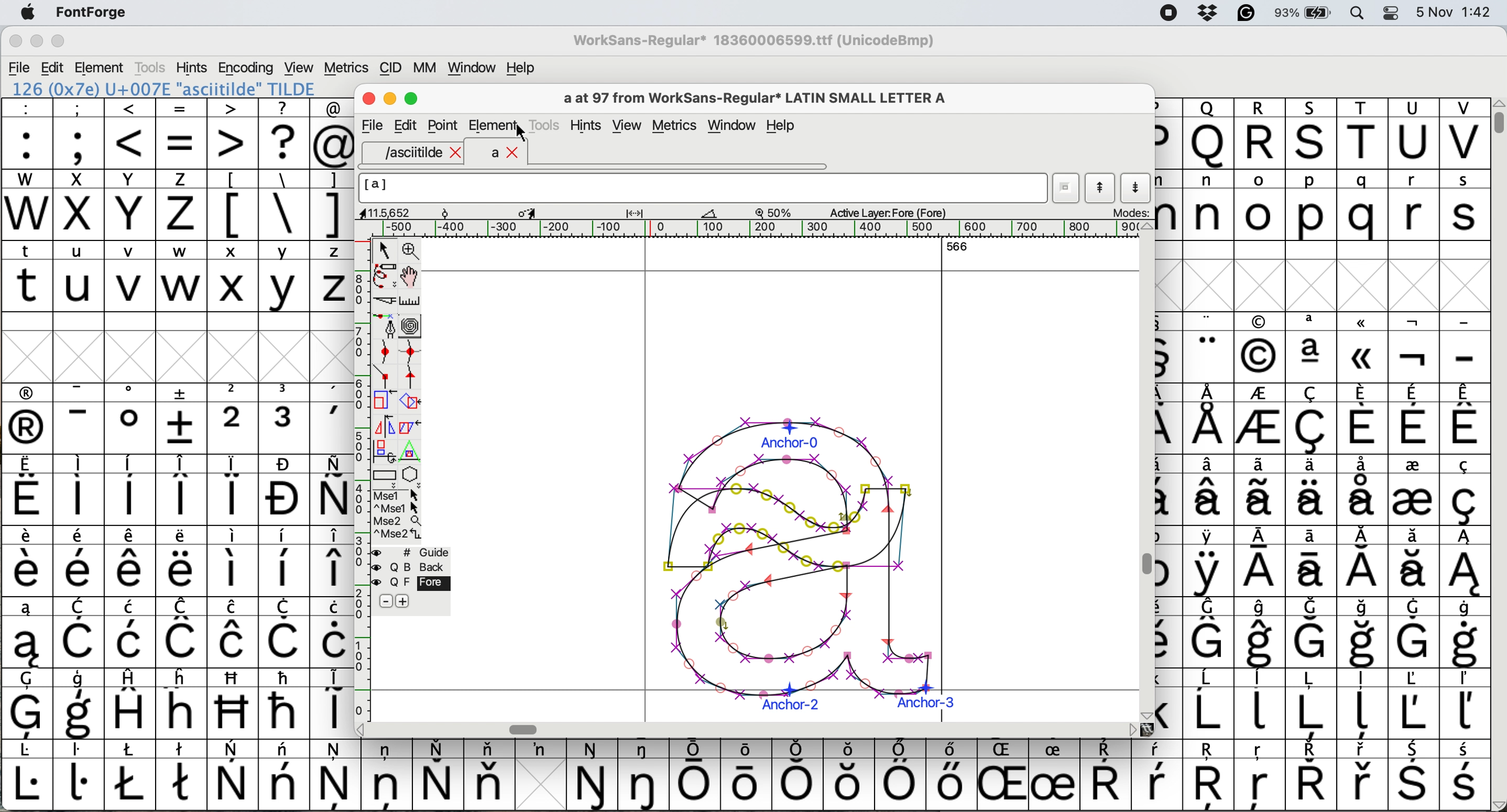  I want to click on more options, so click(398, 514).